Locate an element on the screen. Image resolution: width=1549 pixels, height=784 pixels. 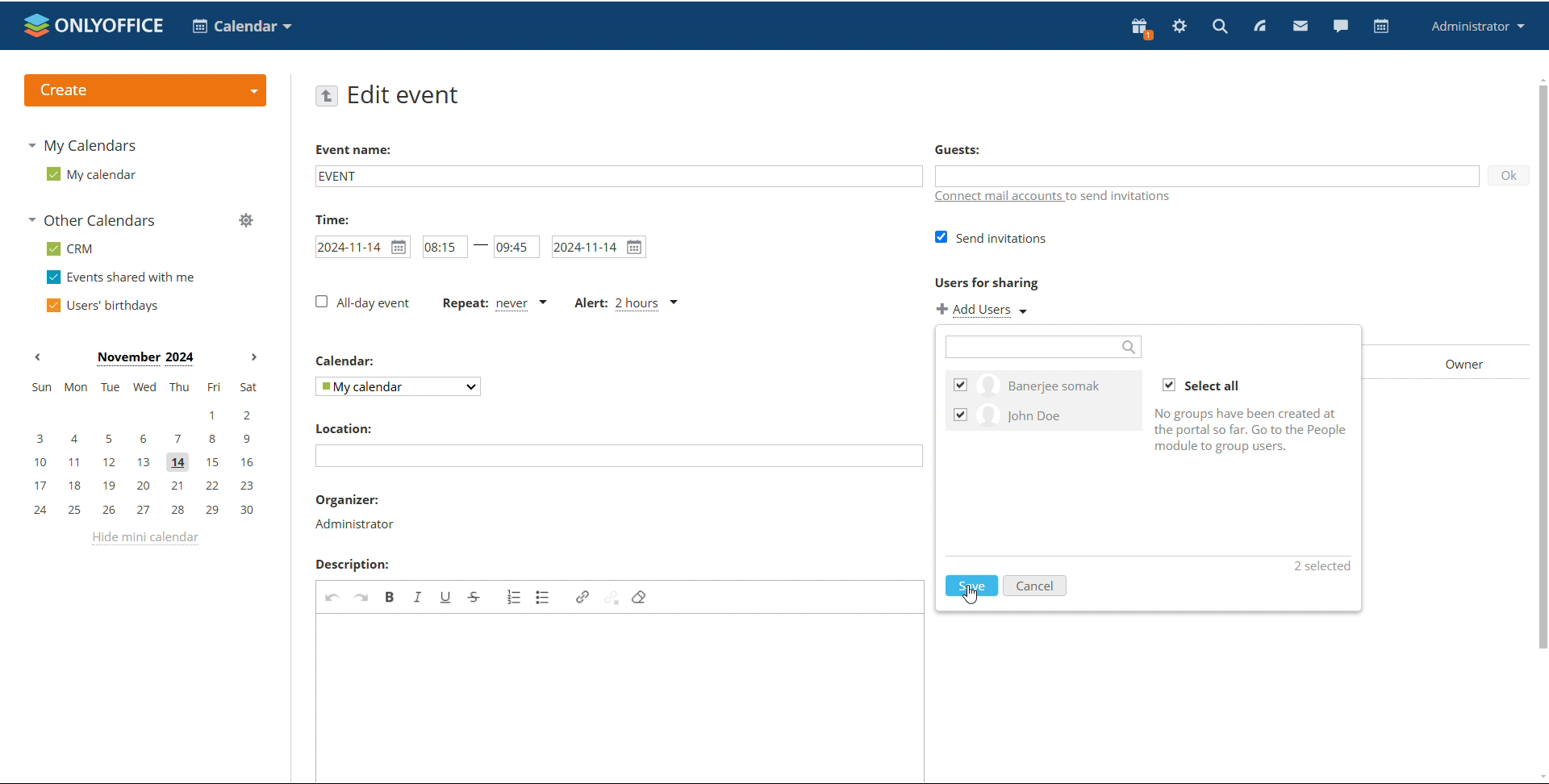
settings is located at coordinates (1180, 27).